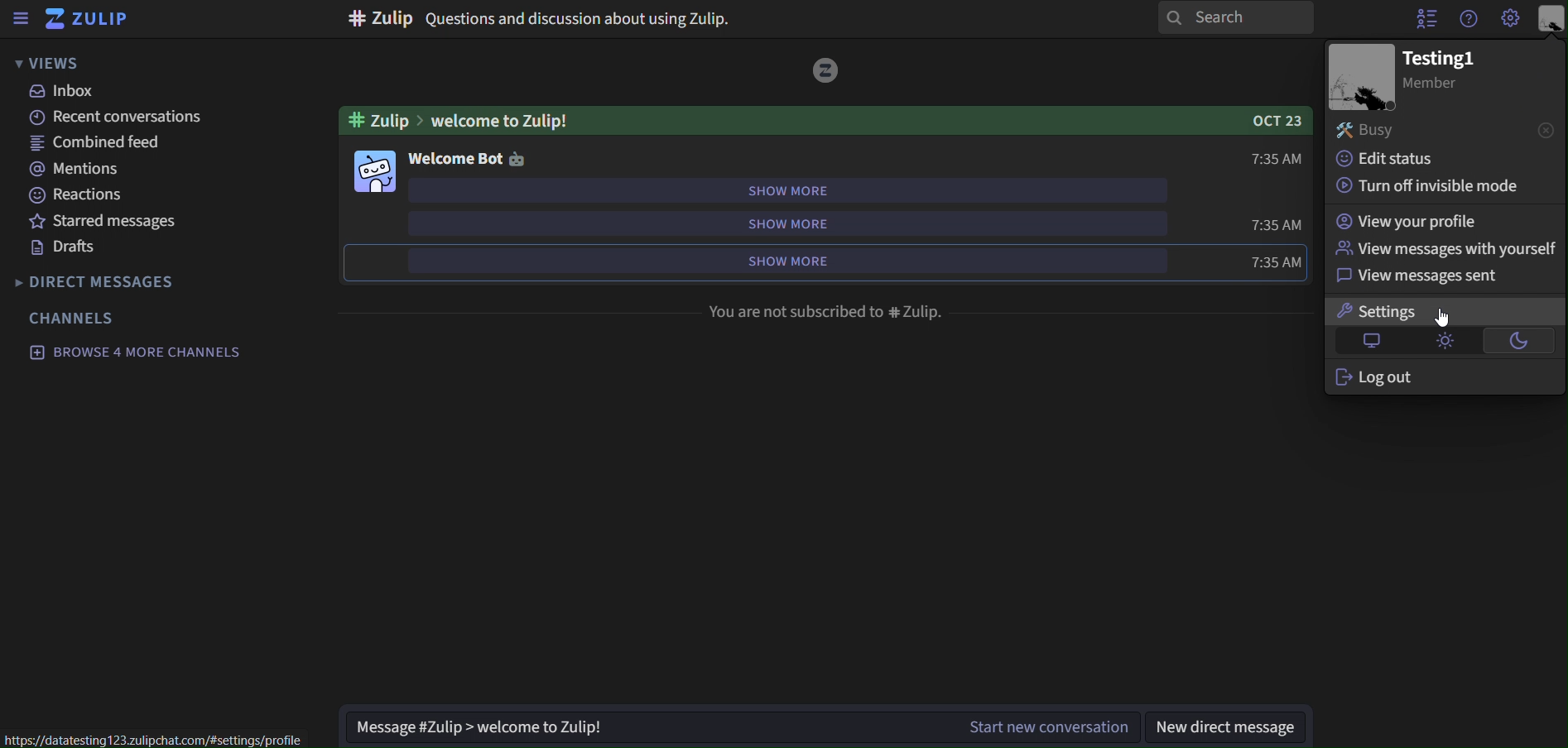 This screenshot has height=748, width=1568. I want to click on start new conversation, so click(1035, 727).